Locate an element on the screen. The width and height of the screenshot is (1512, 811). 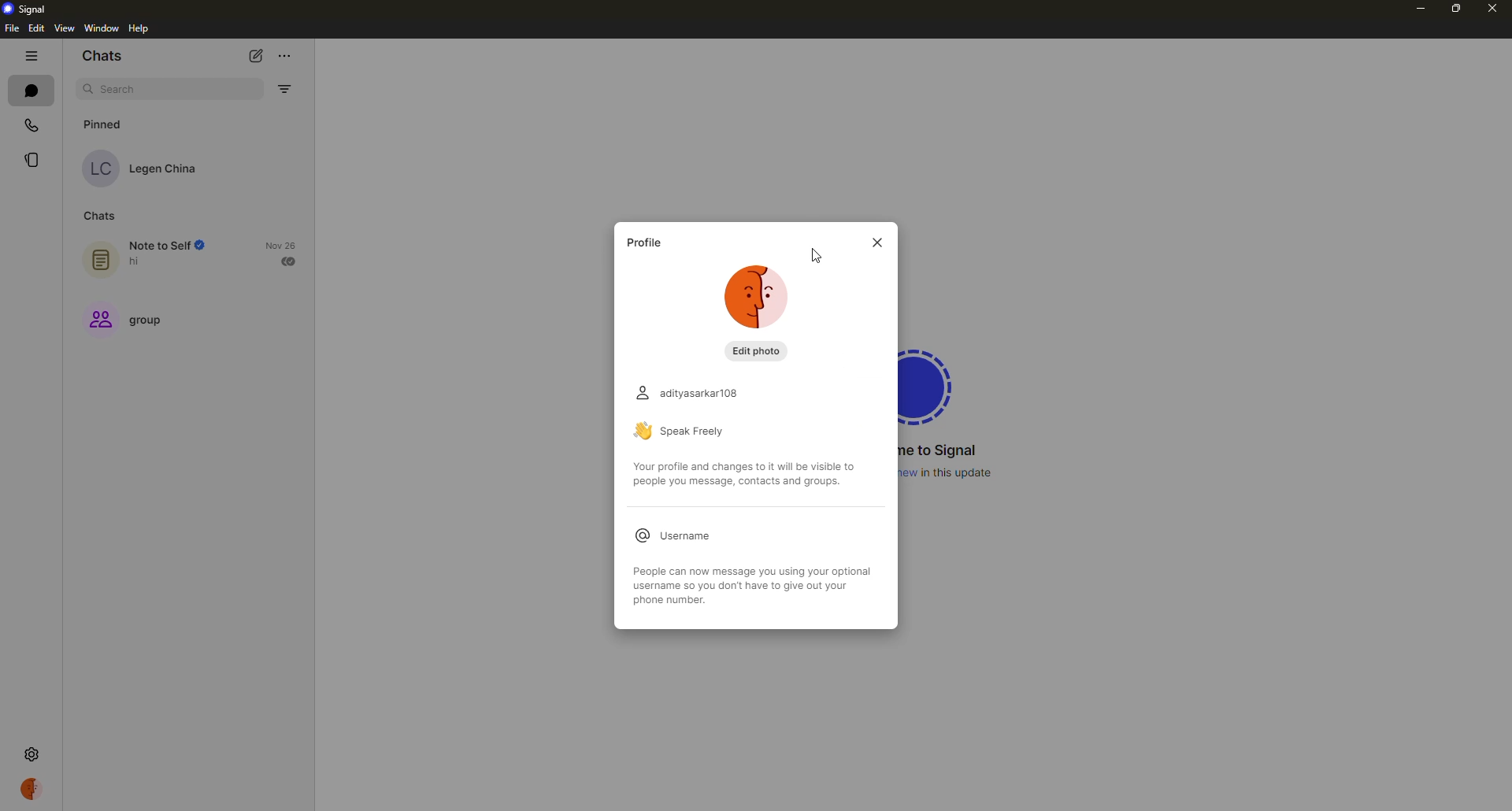
profile is located at coordinates (33, 788).